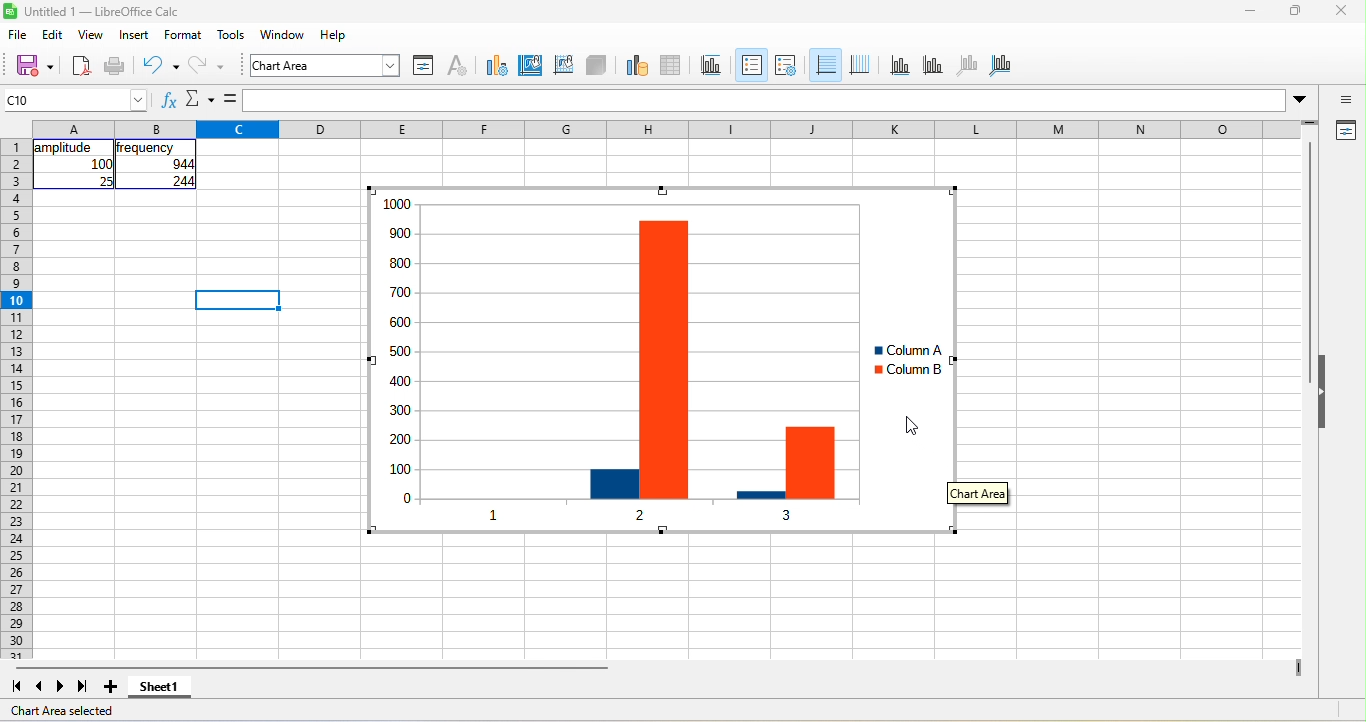 The width and height of the screenshot is (1366, 722). I want to click on all aaxes, so click(1000, 66).